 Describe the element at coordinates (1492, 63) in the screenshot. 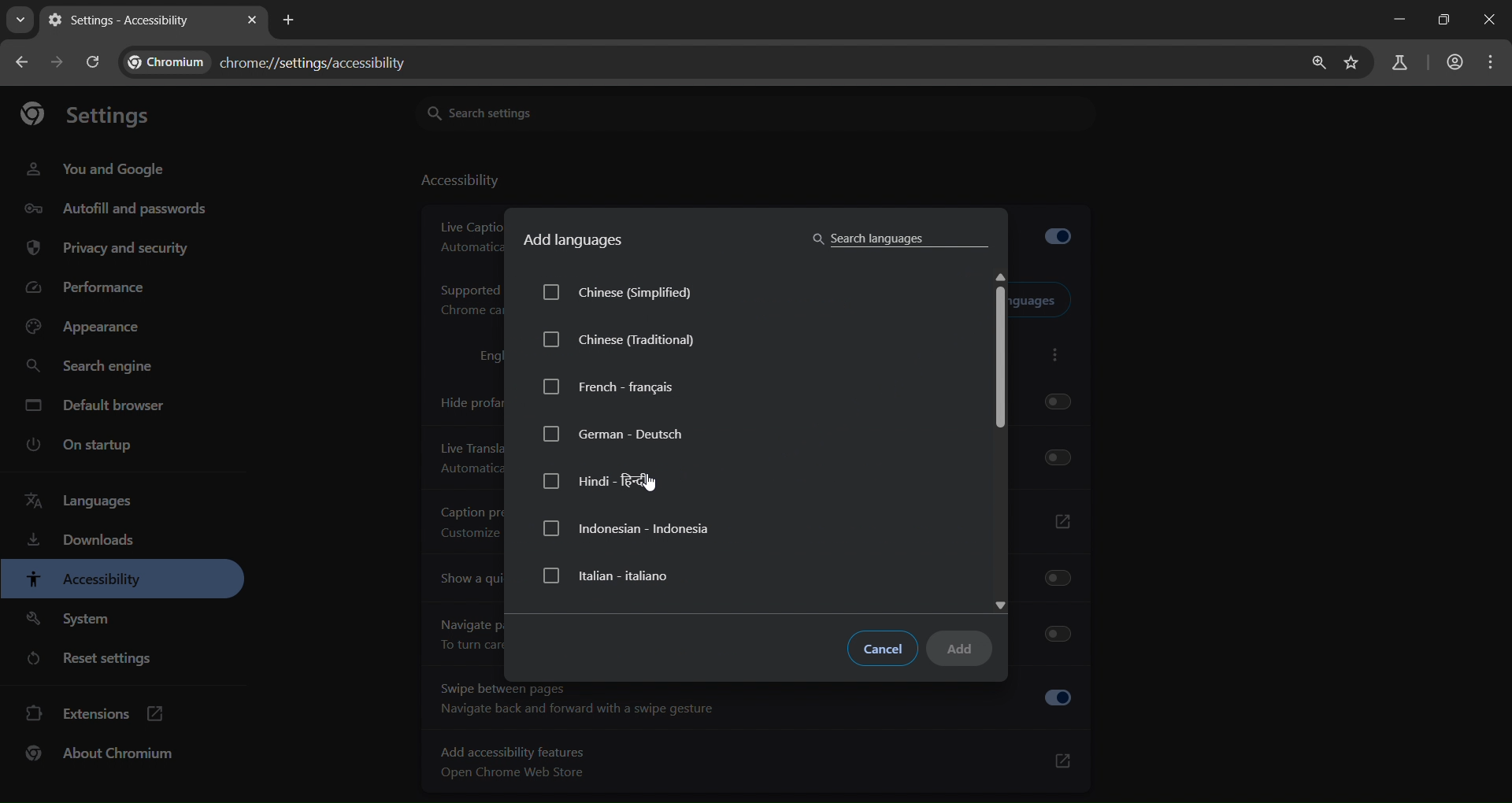

I see `menu` at that location.